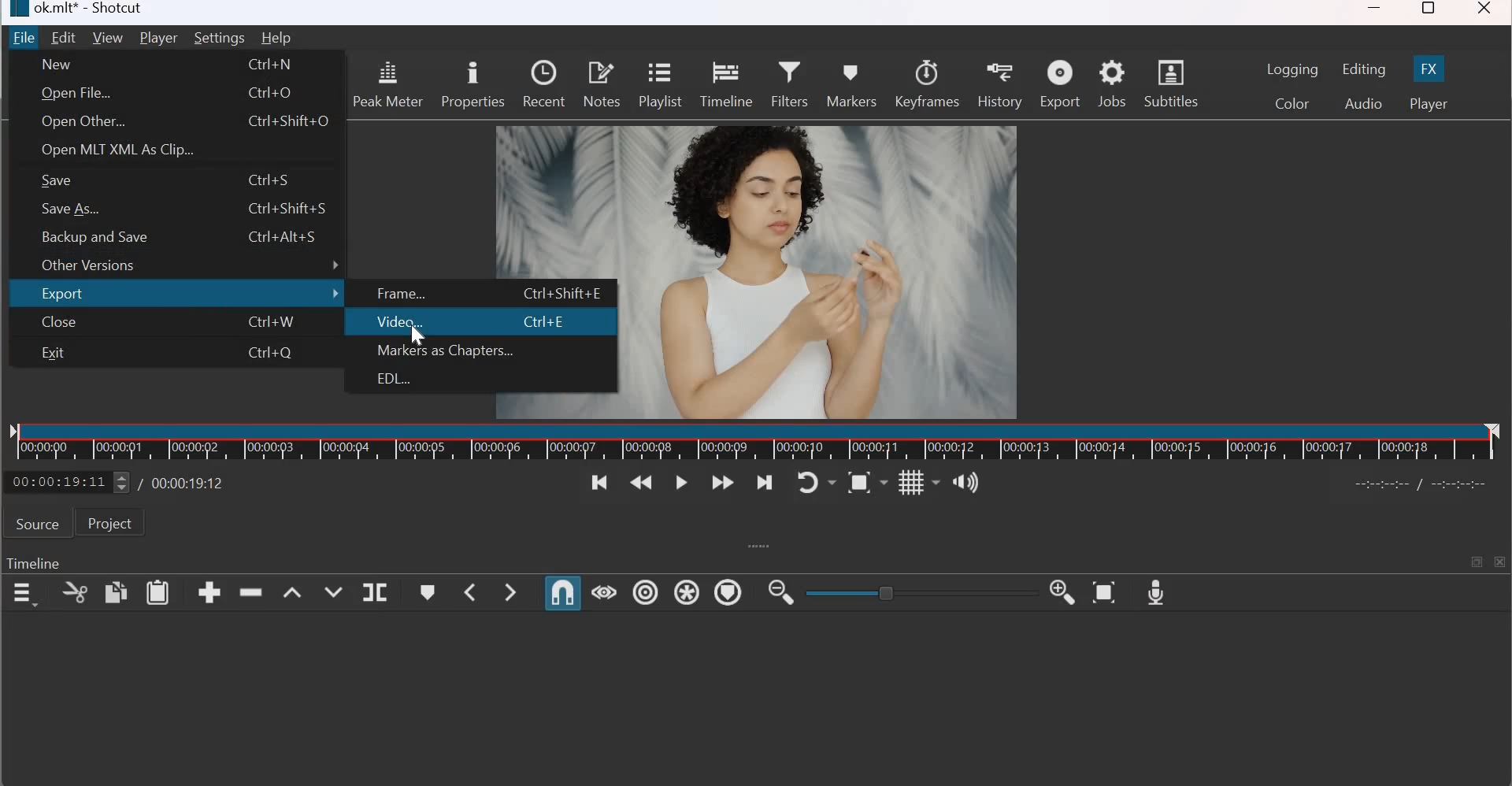 Image resolution: width=1512 pixels, height=786 pixels. What do you see at coordinates (332, 592) in the screenshot?
I see `Overwrite` at bounding box center [332, 592].